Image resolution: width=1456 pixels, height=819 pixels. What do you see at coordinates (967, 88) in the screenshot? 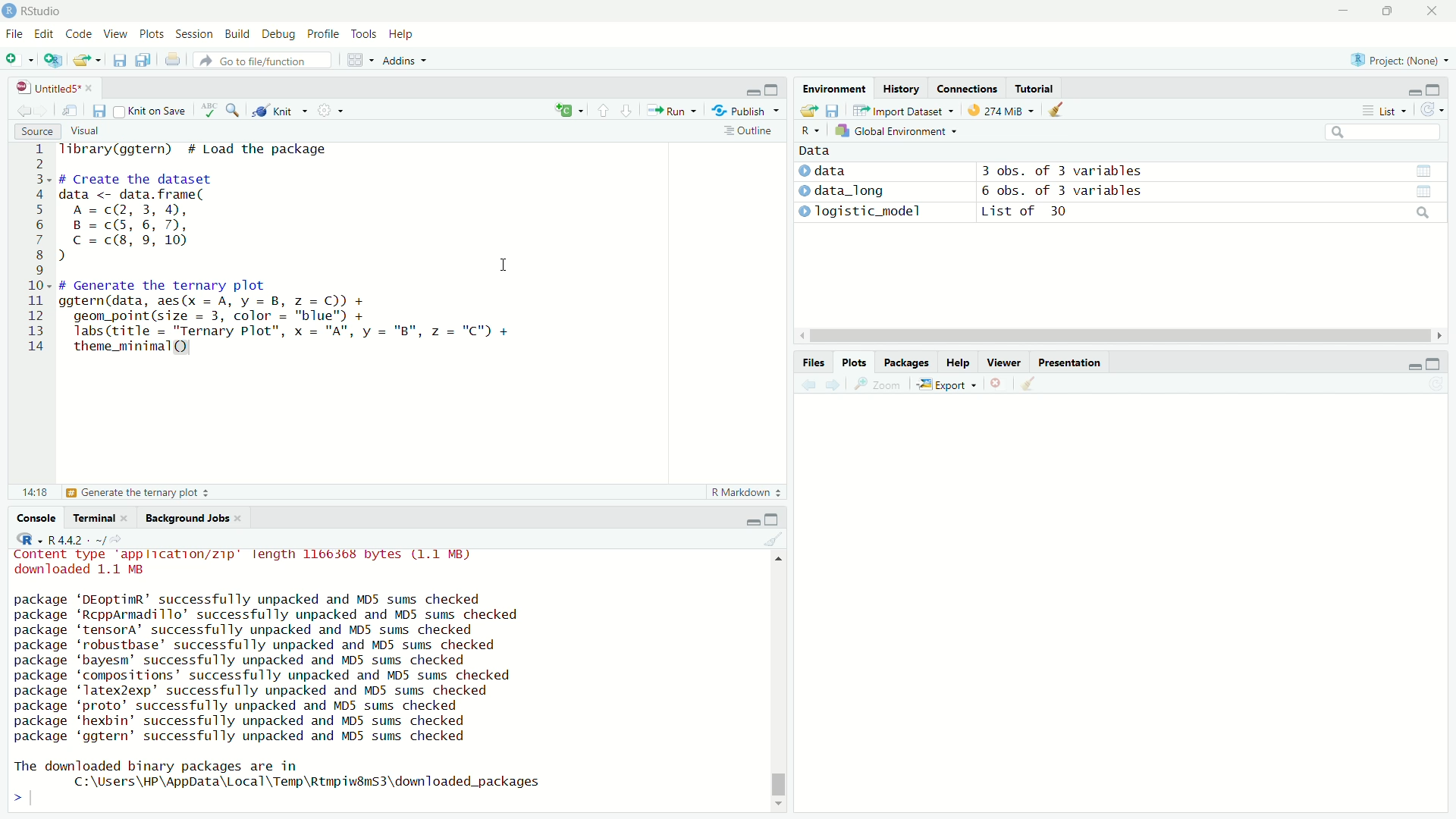
I see `Connections` at bounding box center [967, 88].